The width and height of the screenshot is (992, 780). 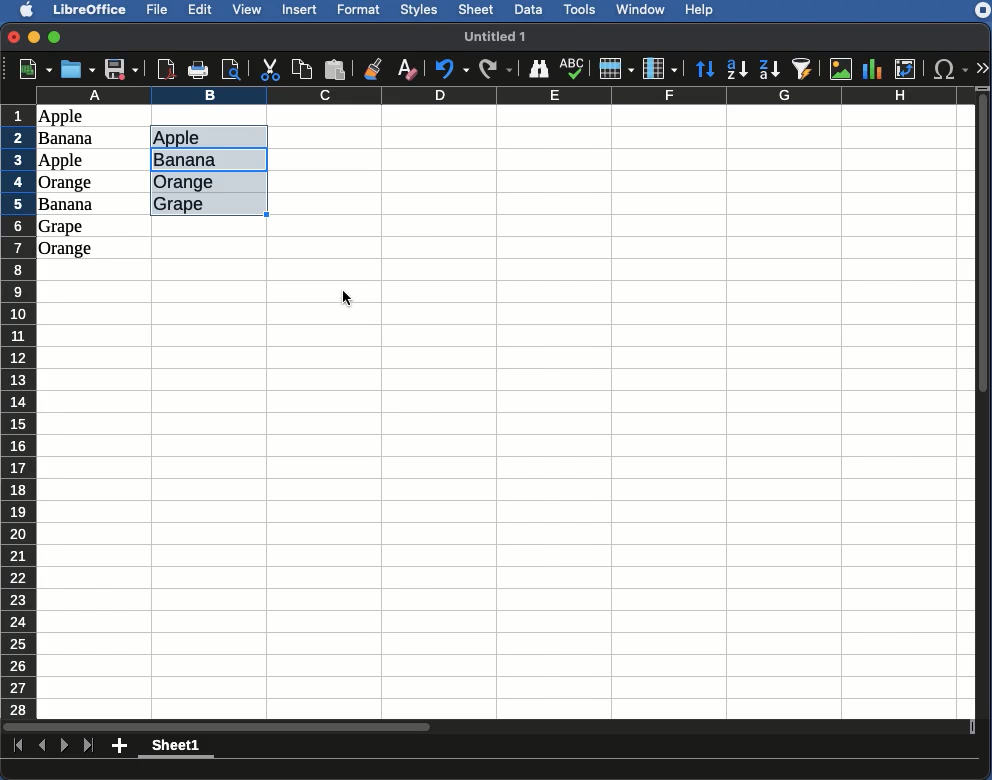 I want to click on UNIQUE values listed - grape, so click(x=209, y=204).